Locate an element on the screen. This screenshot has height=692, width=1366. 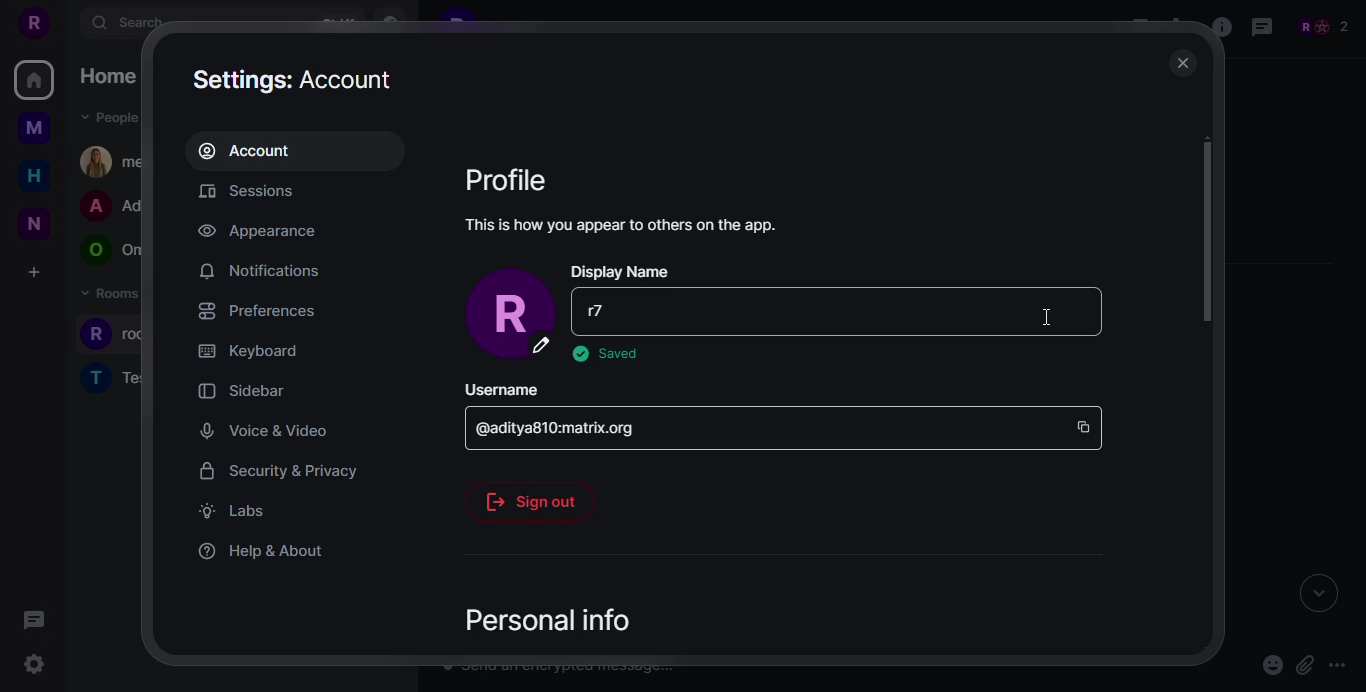
expand is located at coordinates (1312, 593).